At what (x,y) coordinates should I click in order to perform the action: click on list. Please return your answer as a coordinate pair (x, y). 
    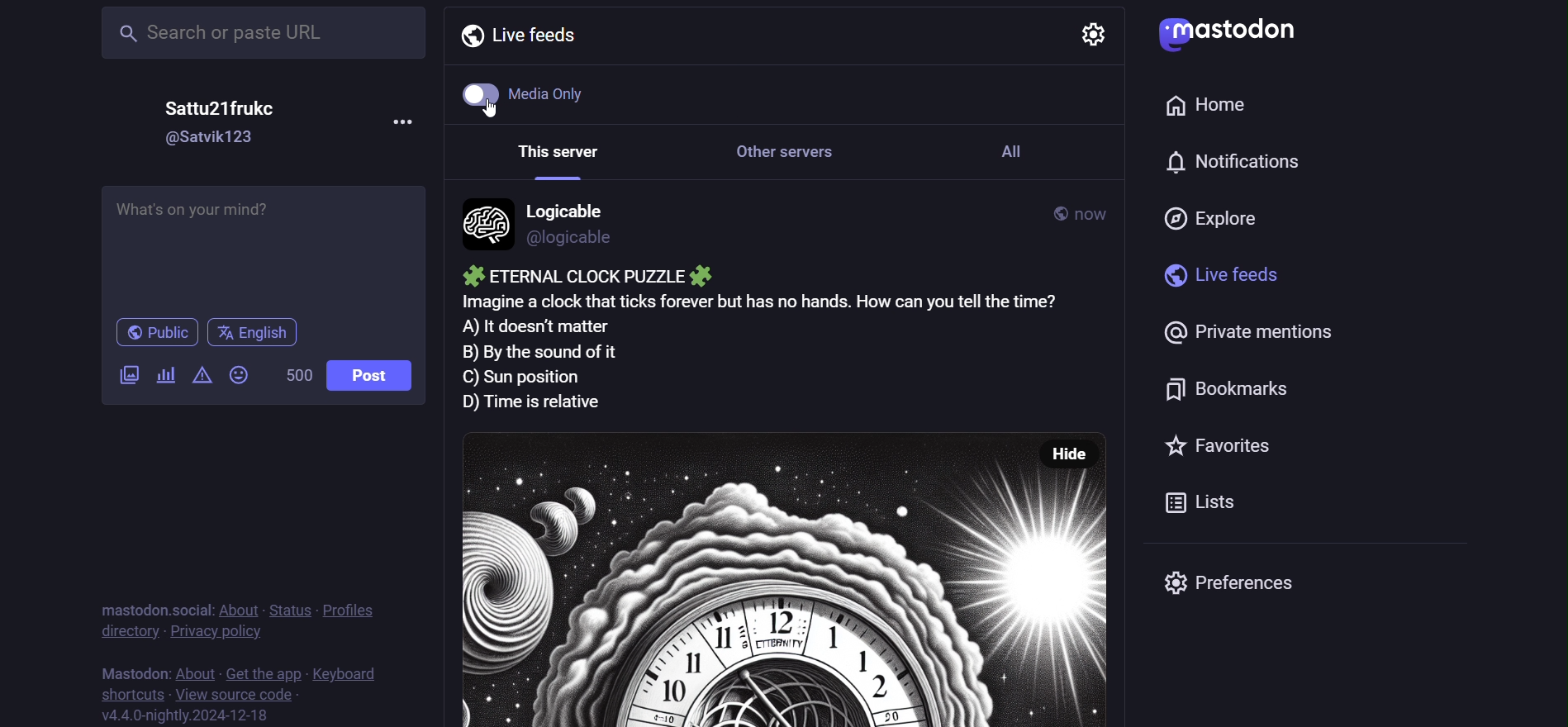
    Looking at the image, I should click on (1206, 504).